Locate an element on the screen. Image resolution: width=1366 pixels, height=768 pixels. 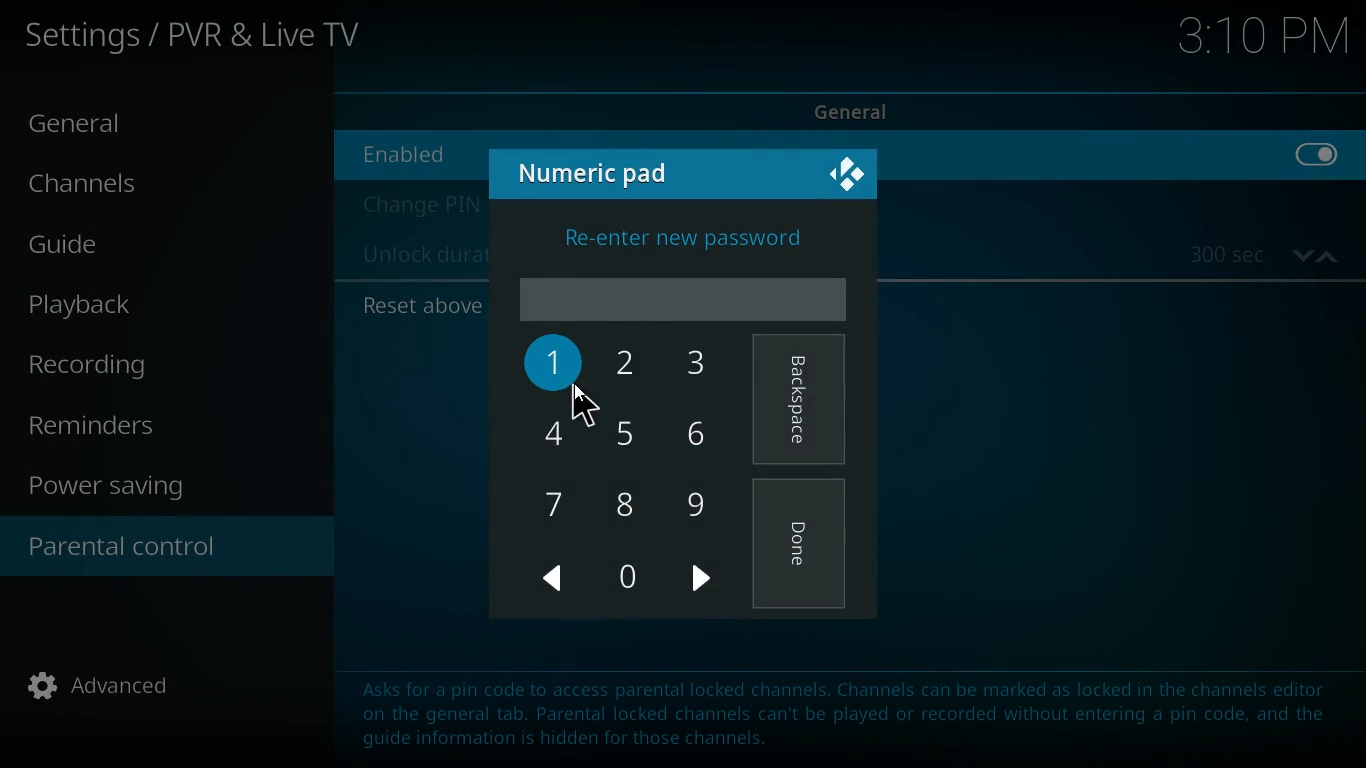
6 is located at coordinates (699, 434).